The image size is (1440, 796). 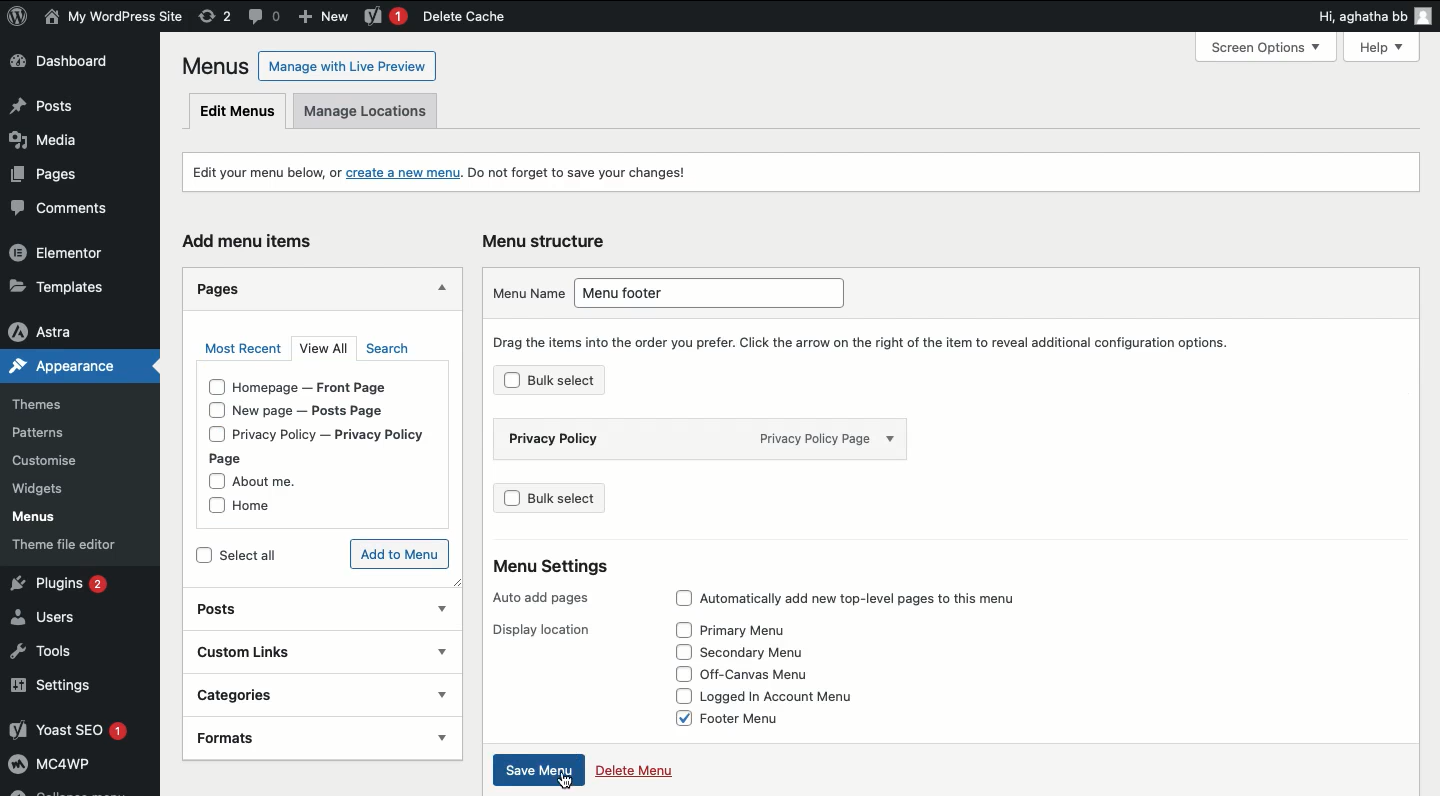 What do you see at coordinates (295, 694) in the screenshot?
I see `Categories` at bounding box center [295, 694].